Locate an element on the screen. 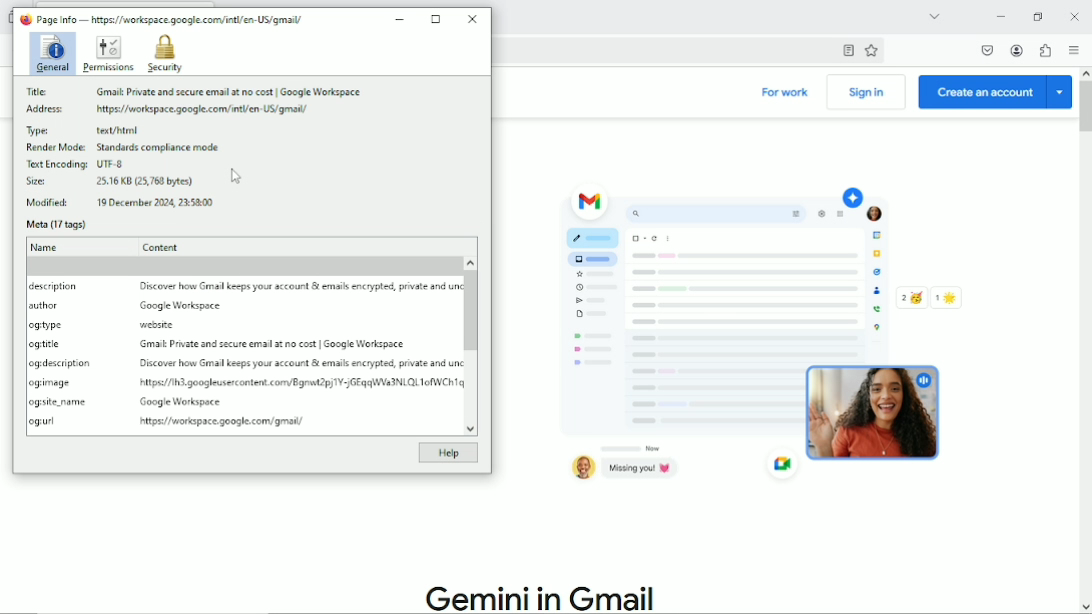 The height and width of the screenshot is (614, 1092). Text Encoding is located at coordinates (56, 165).